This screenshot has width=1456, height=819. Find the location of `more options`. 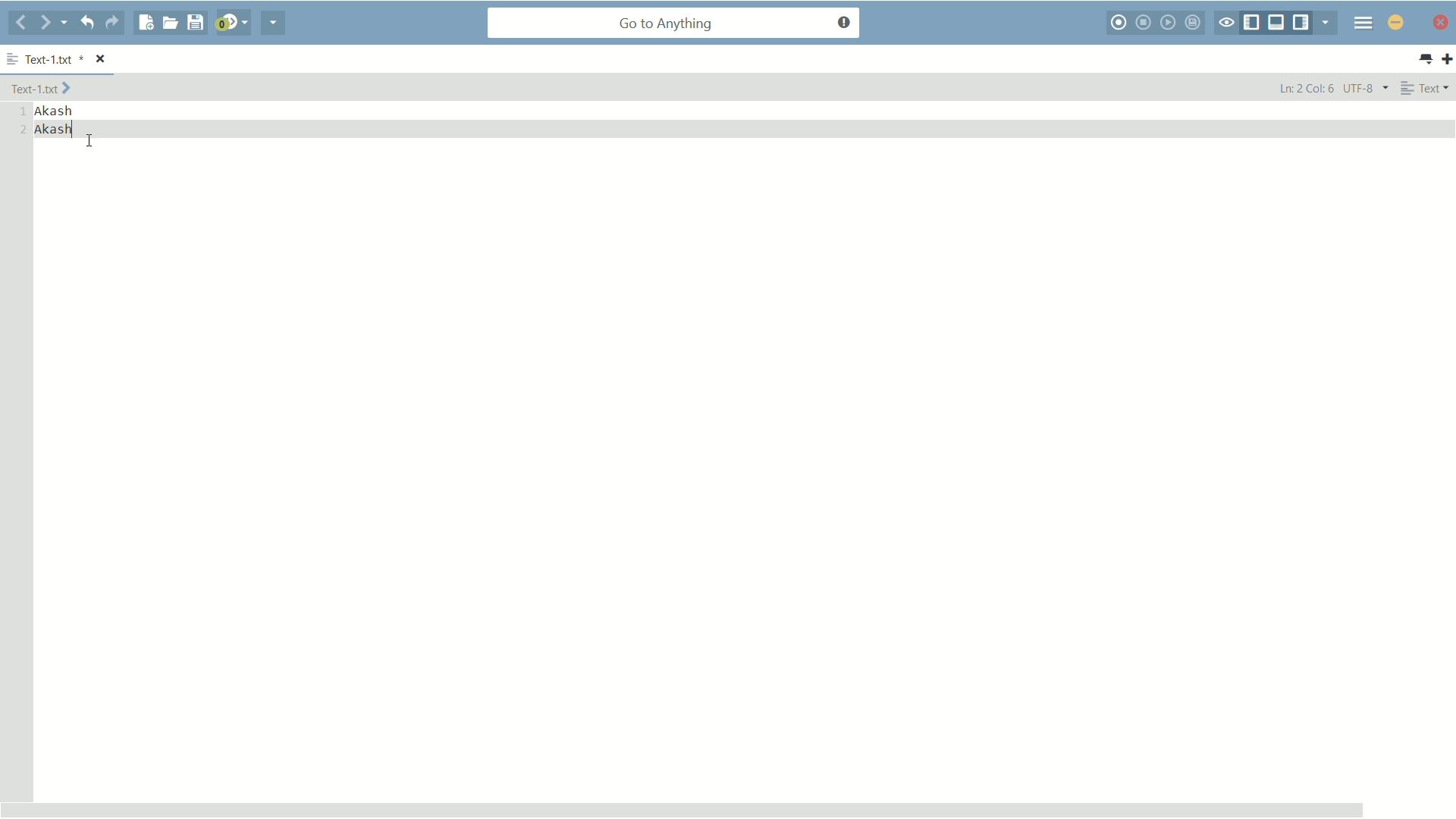

more options is located at coordinates (12, 56).